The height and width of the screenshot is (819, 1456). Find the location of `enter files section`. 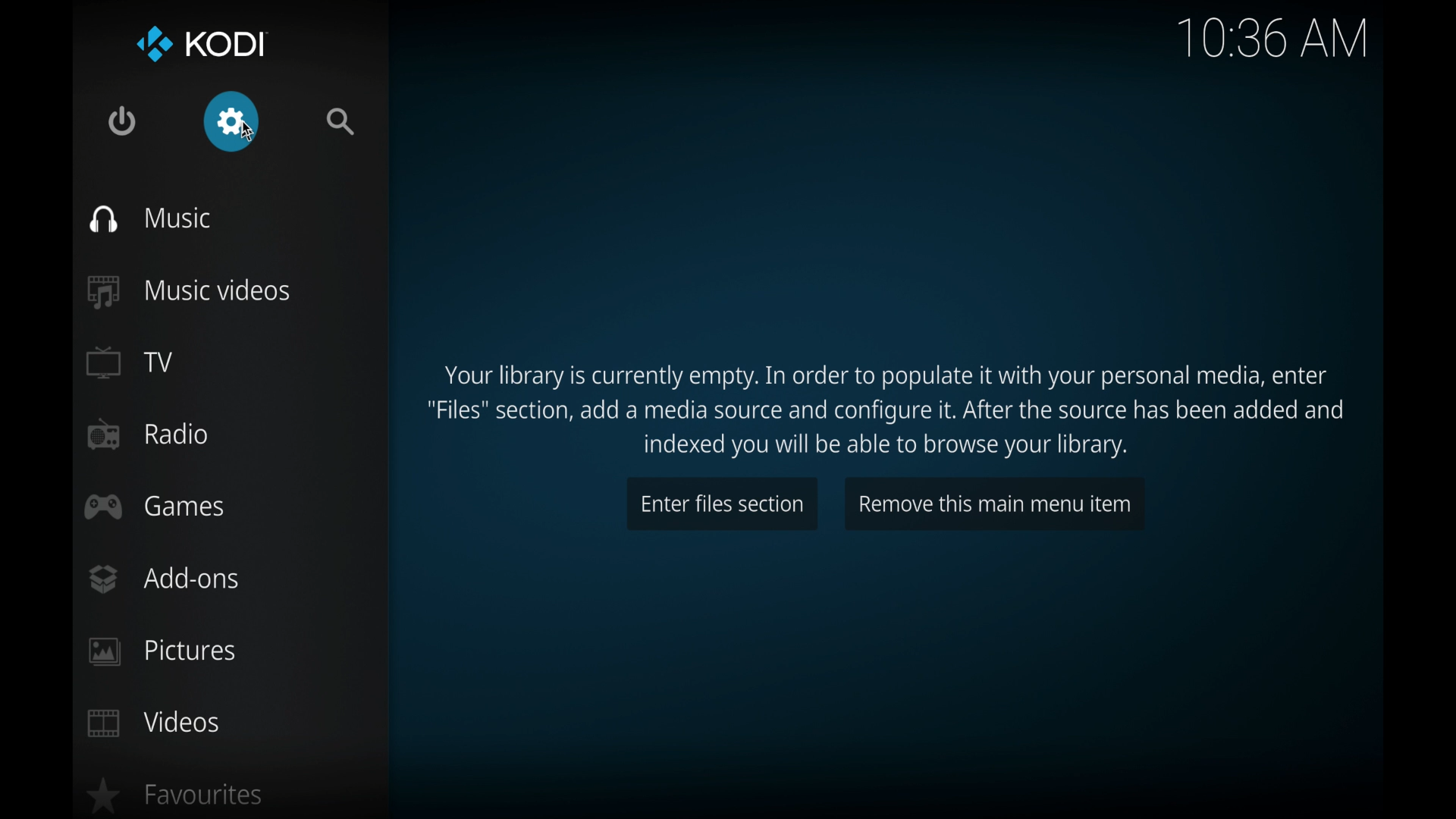

enter files section is located at coordinates (723, 504).